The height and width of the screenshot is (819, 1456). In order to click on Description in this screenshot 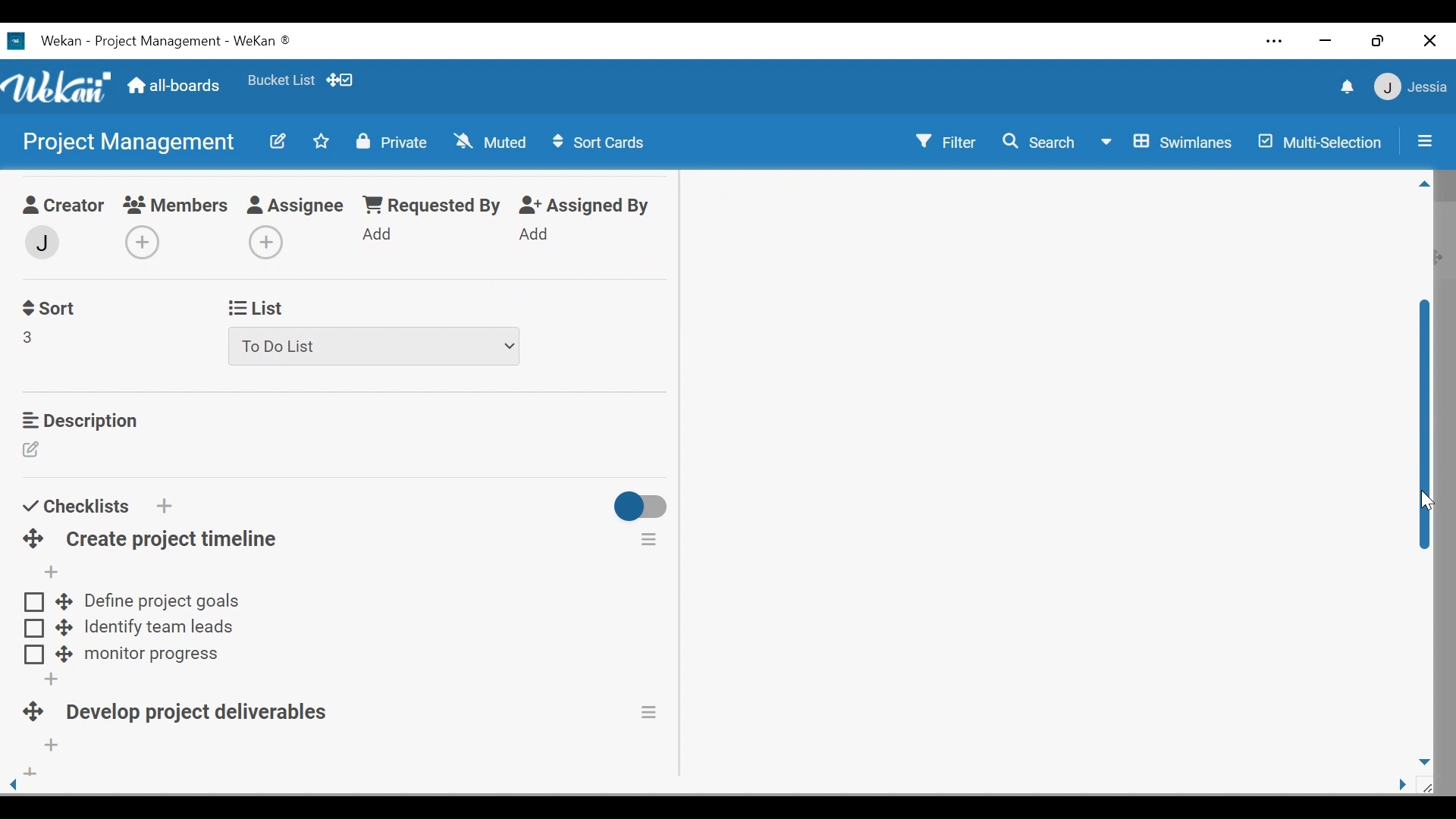, I will do `click(79, 420)`.